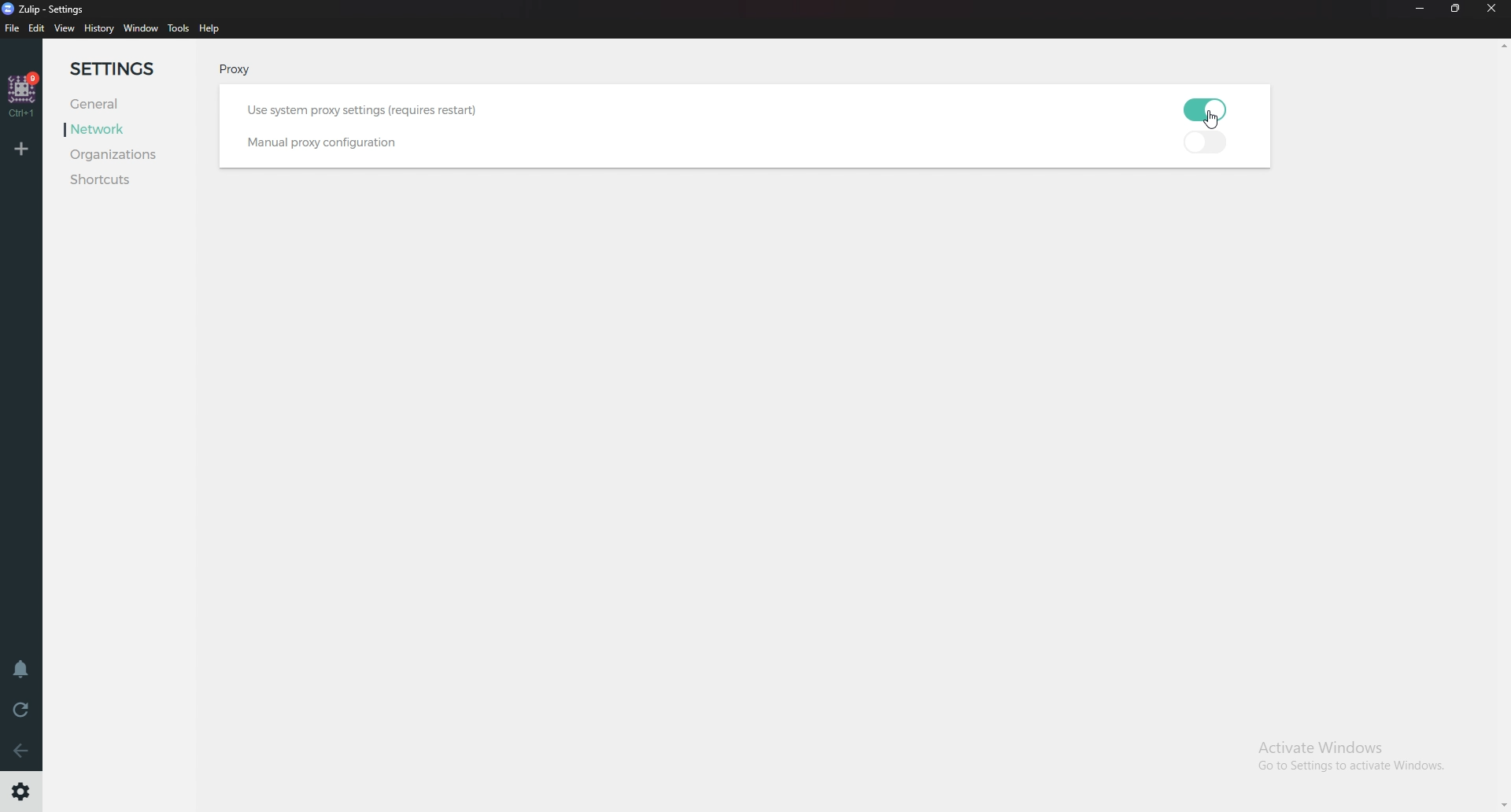 This screenshot has height=812, width=1511. I want to click on Use system proxy, so click(367, 111).